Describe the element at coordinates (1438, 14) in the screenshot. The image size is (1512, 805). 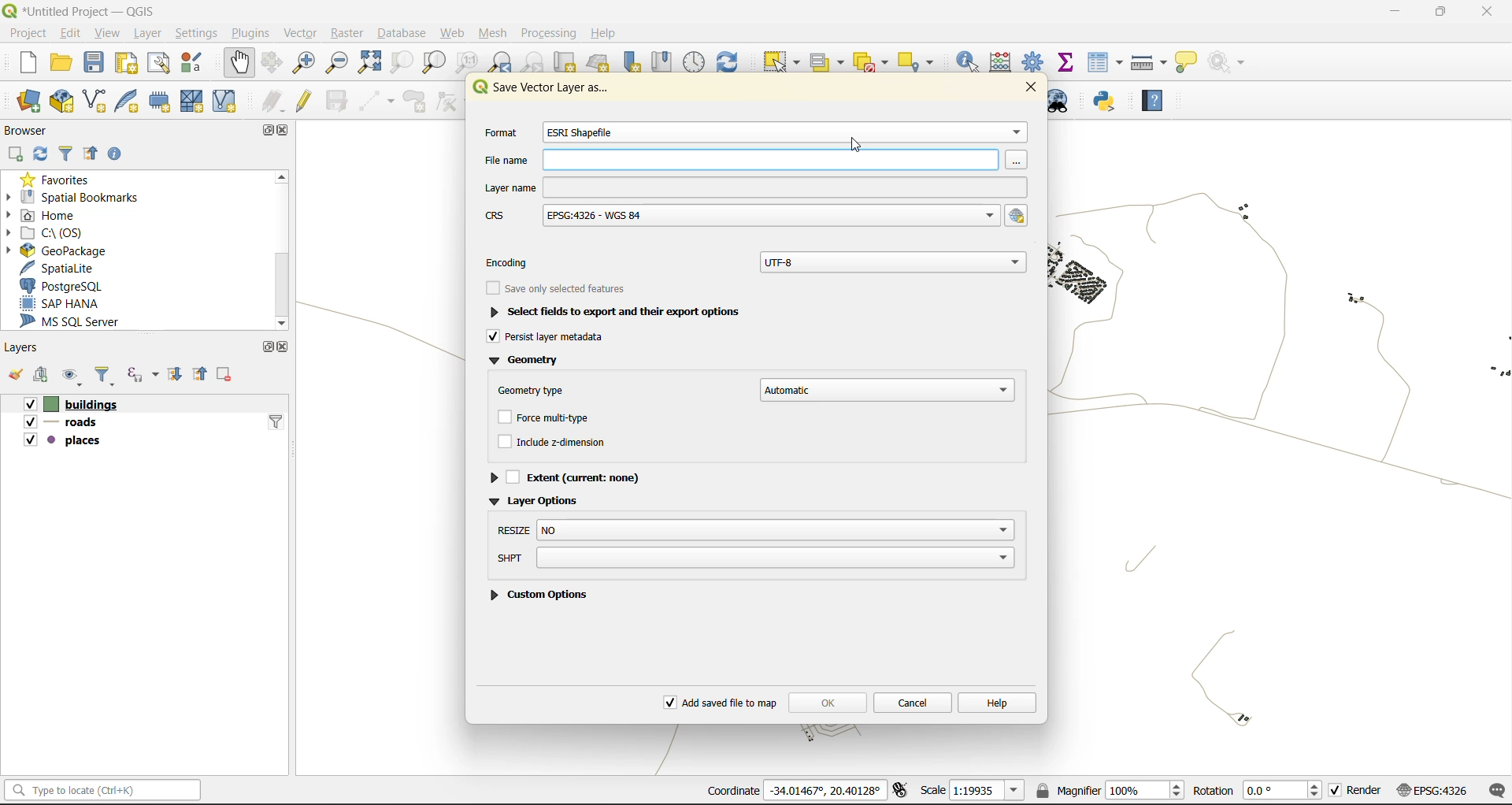
I see `maximize` at that location.